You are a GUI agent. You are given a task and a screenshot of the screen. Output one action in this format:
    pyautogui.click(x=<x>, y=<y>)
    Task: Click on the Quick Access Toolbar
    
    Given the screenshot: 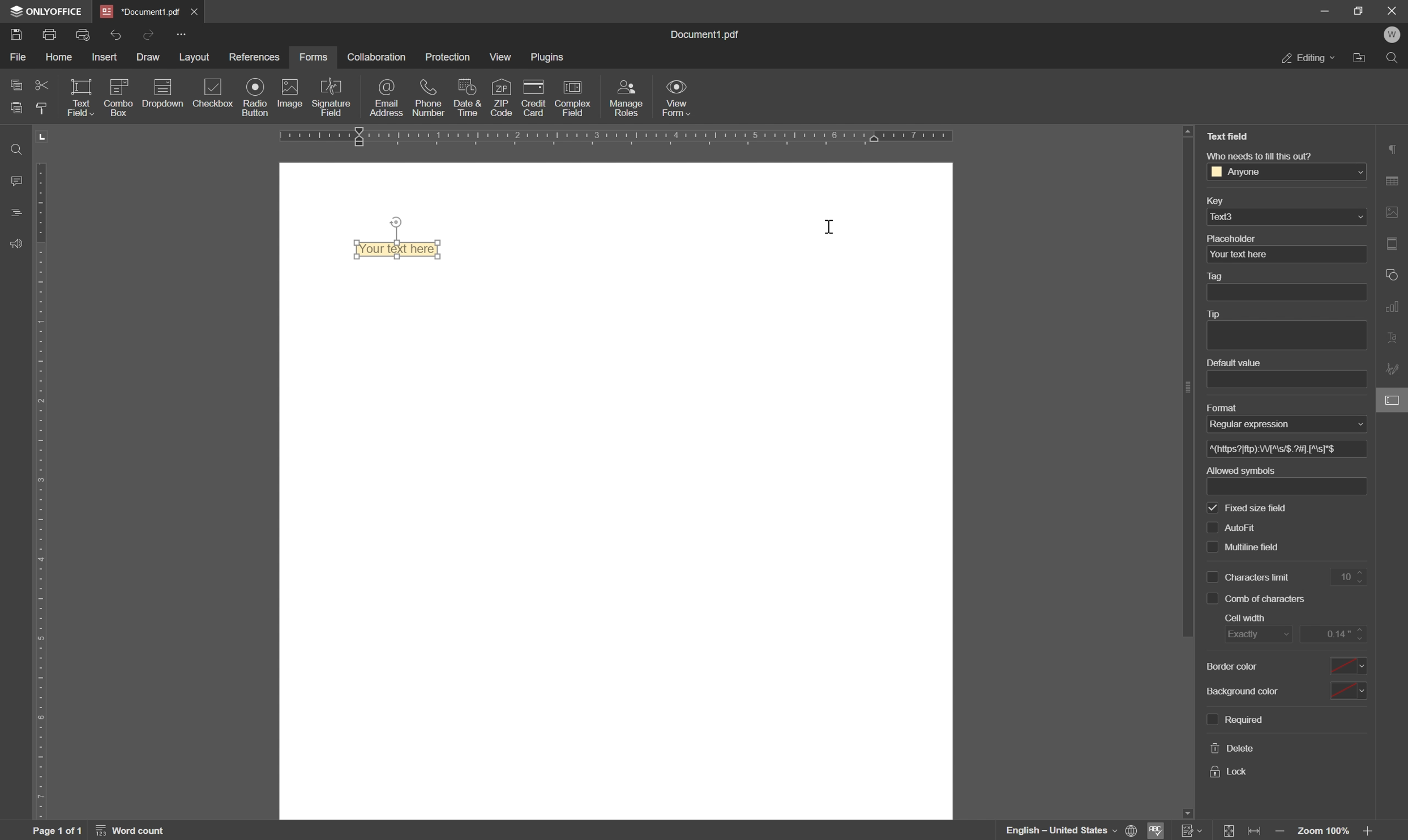 What is the action you would take?
    pyautogui.click(x=181, y=34)
    